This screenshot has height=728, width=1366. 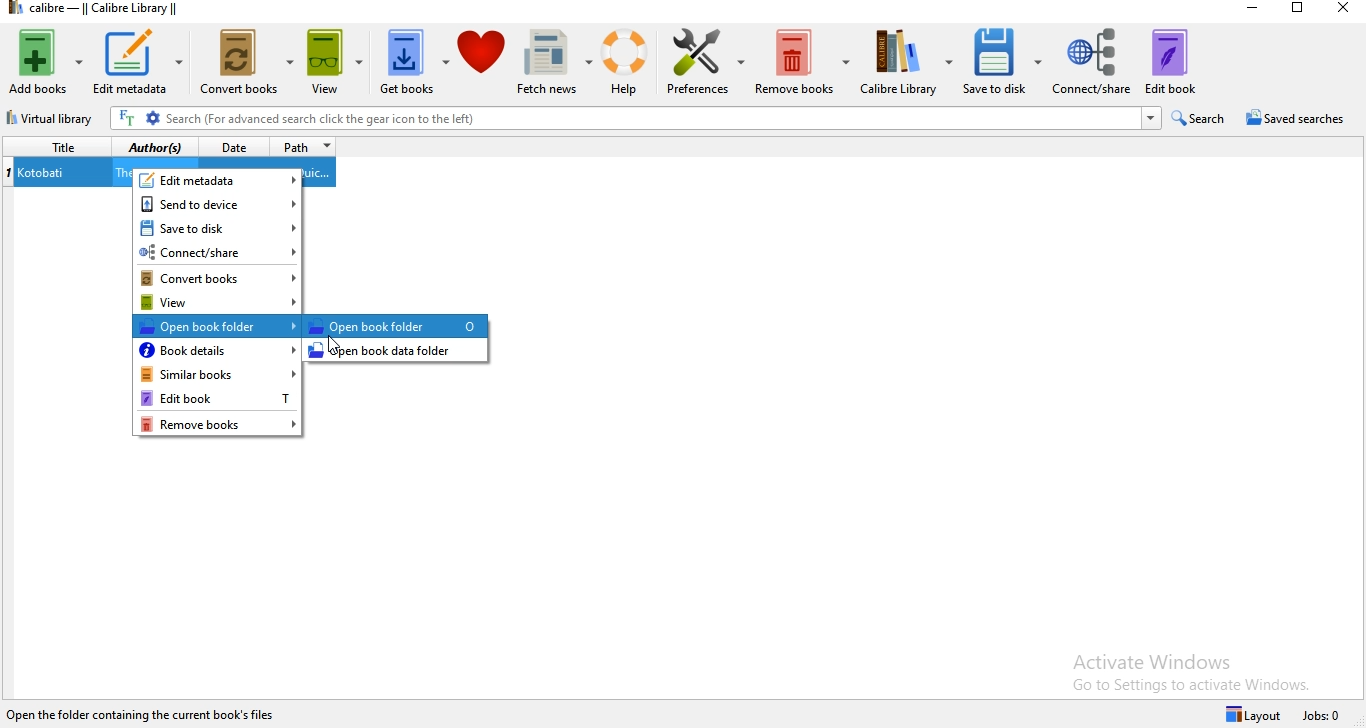 I want to click on add books, so click(x=46, y=61).